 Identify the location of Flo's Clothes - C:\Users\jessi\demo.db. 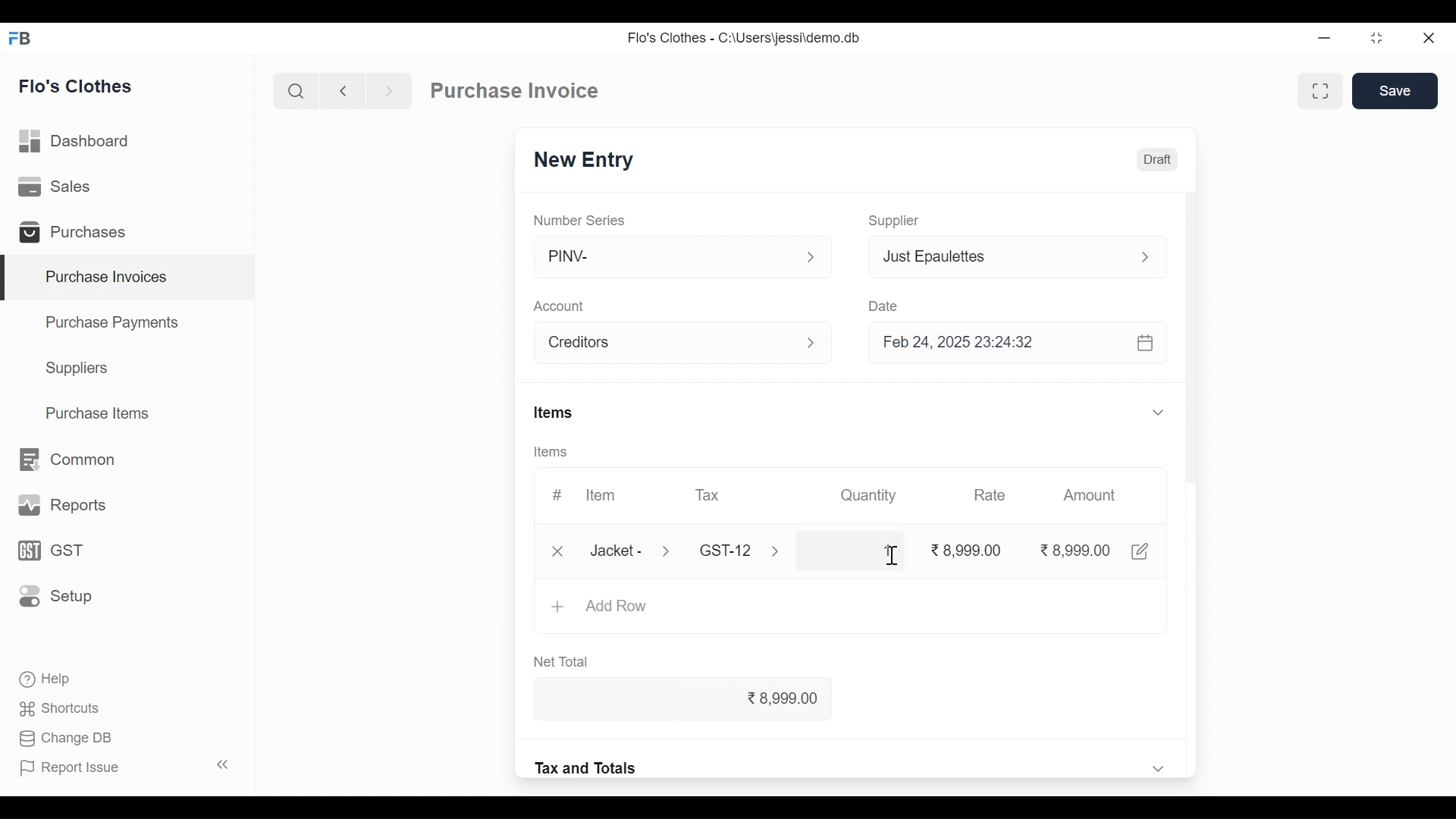
(746, 36).